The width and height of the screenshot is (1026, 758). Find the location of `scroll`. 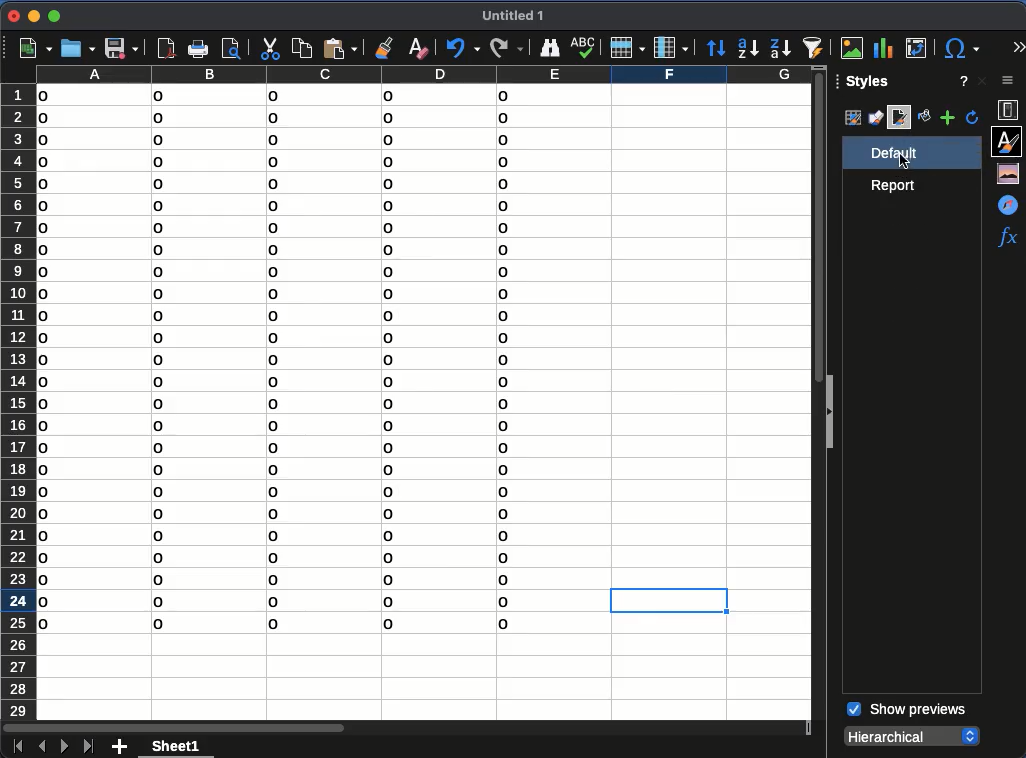

scroll is located at coordinates (1020, 488).